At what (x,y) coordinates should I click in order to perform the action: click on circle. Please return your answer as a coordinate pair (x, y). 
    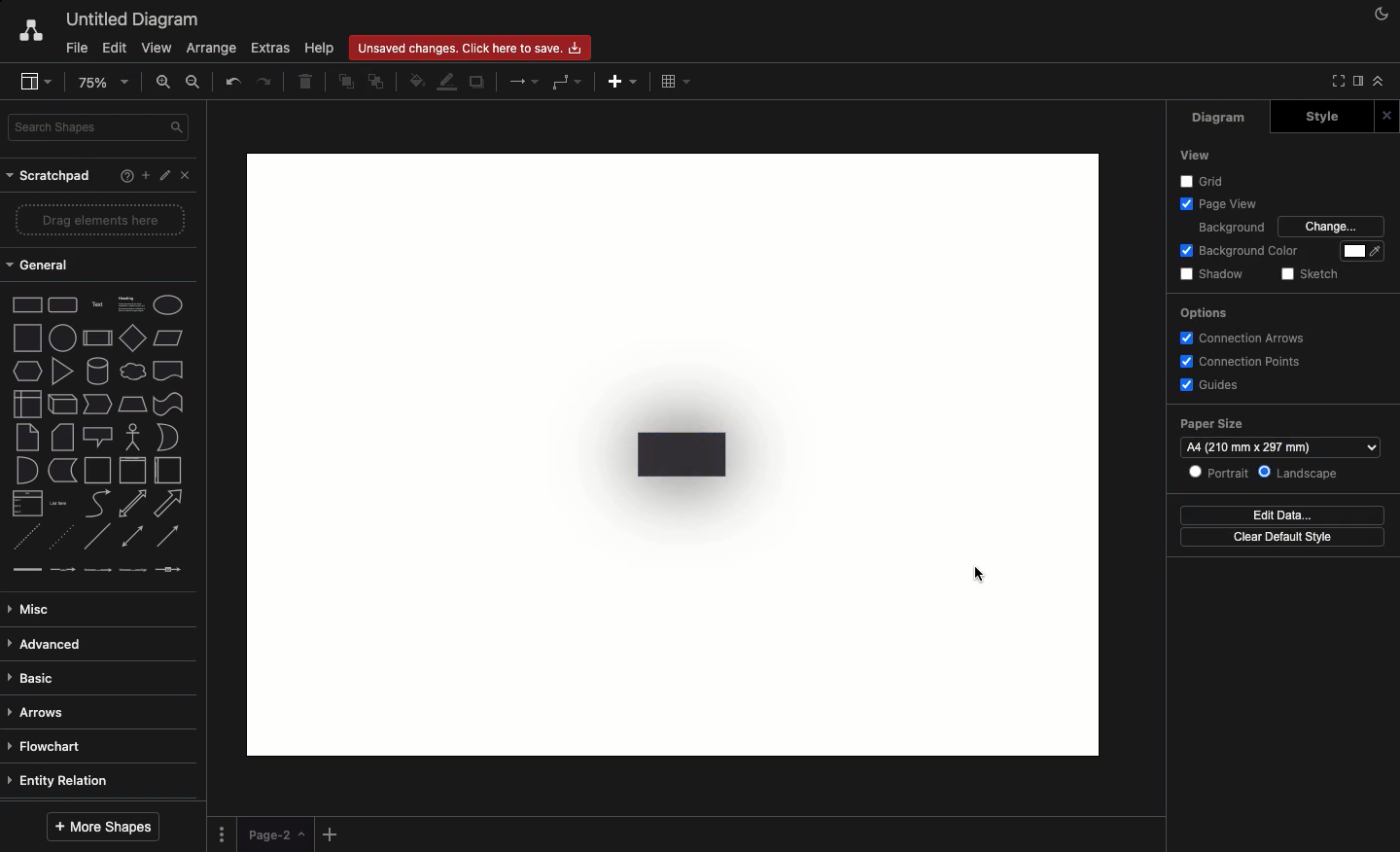
    Looking at the image, I should click on (63, 337).